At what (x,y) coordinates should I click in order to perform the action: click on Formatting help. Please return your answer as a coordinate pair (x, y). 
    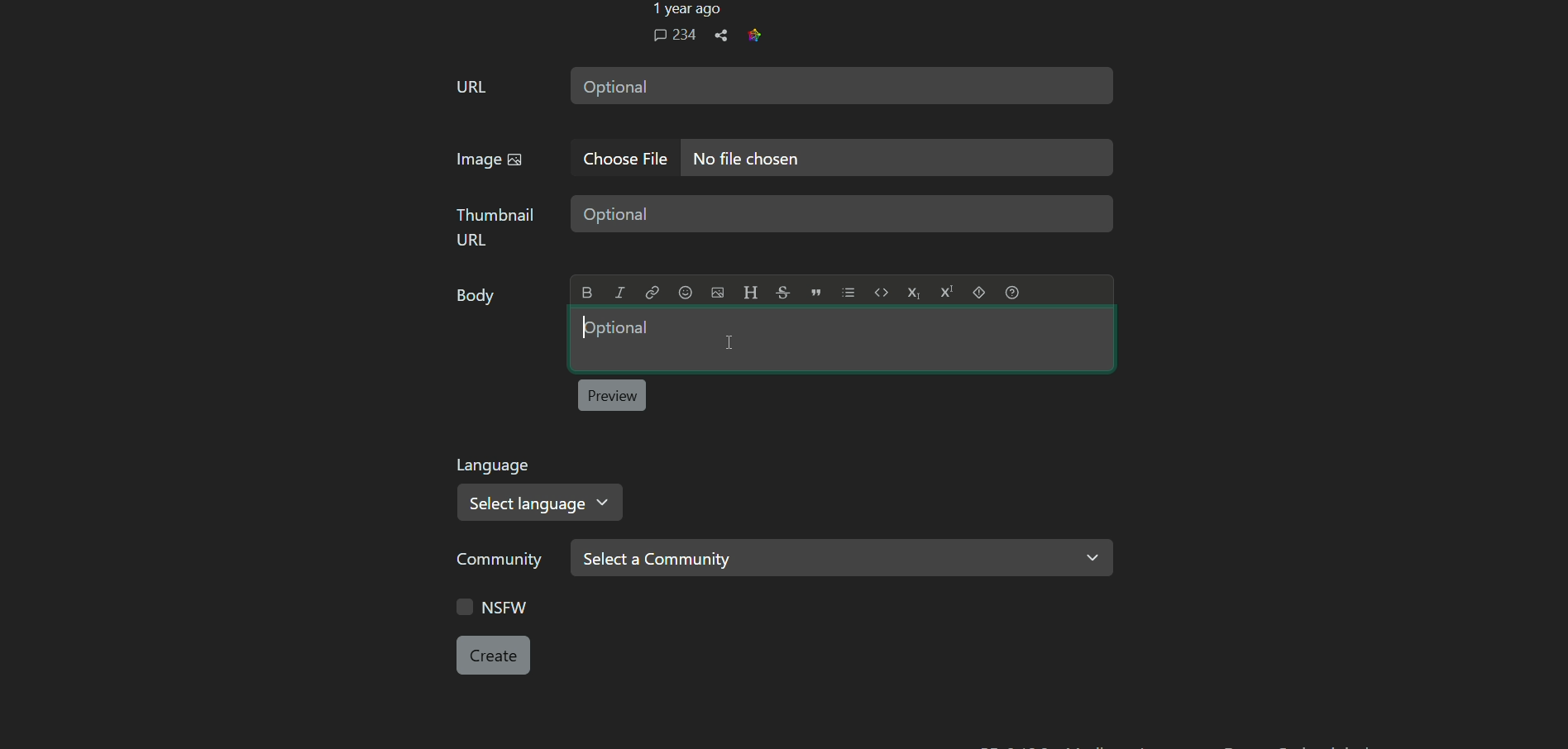
    Looking at the image, I should click on (1012, 292).